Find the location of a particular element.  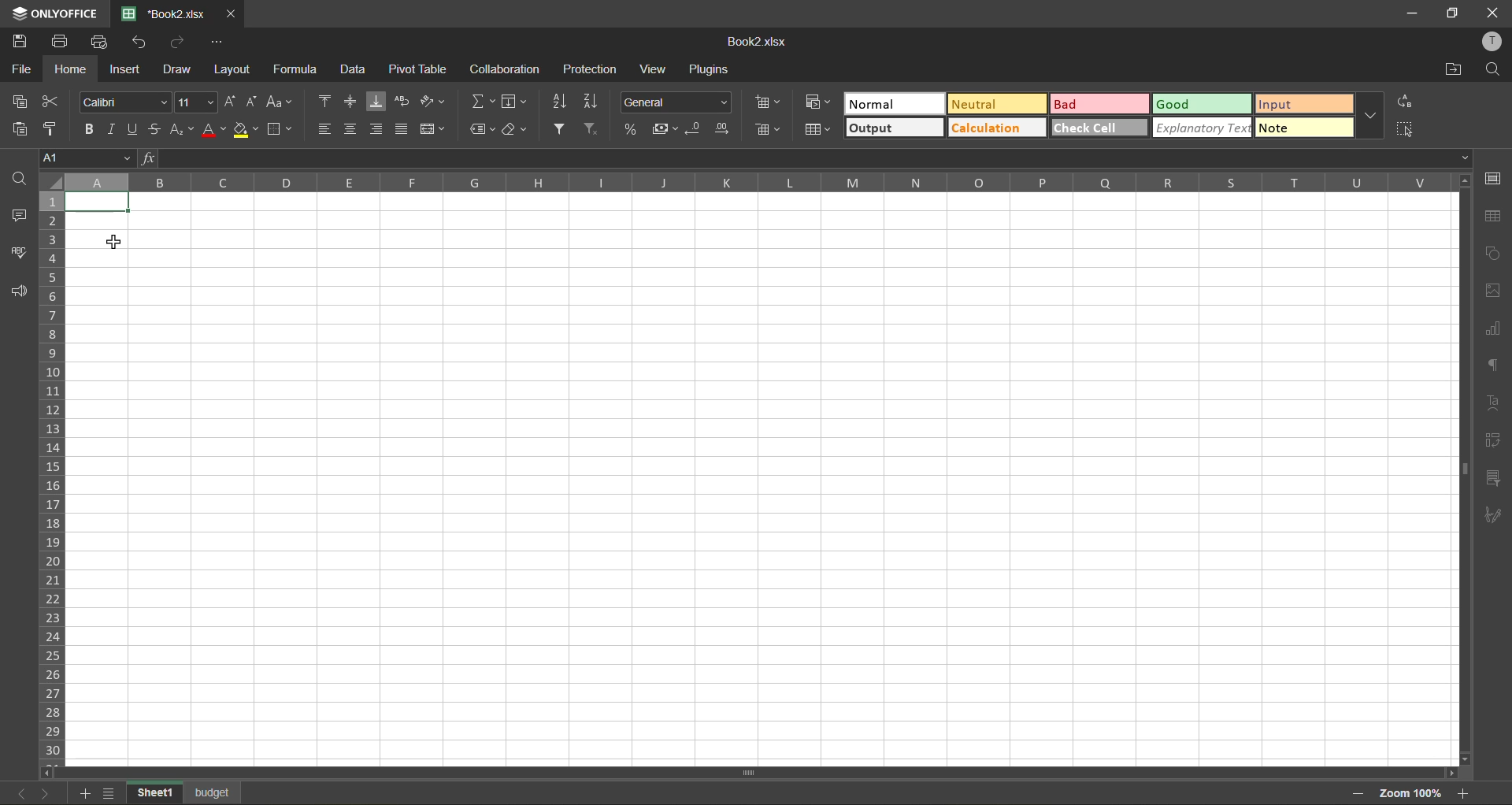

align top is located at coordinates (326, 101).